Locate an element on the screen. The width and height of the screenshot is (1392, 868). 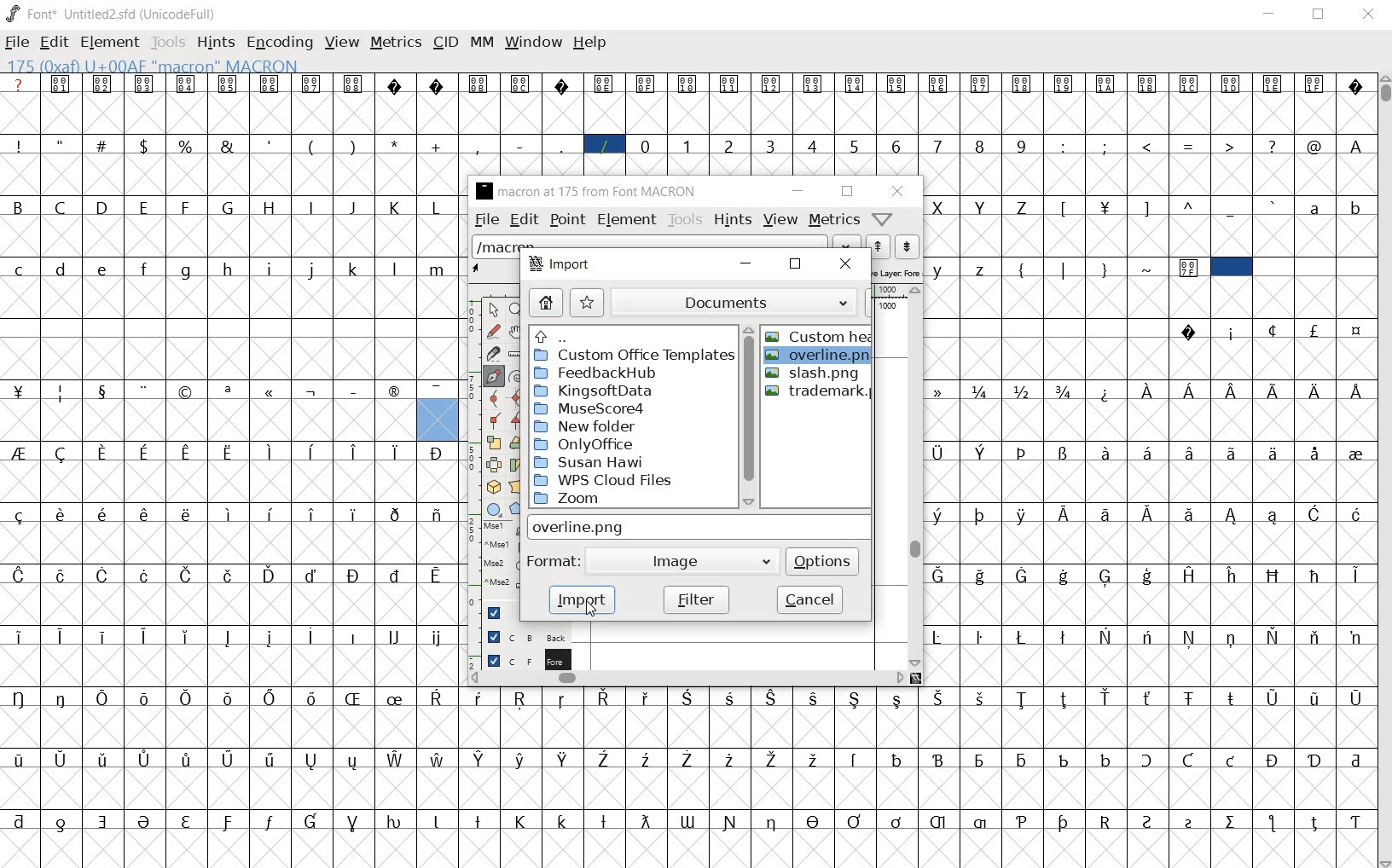
Symbol is located at coordinates (274, 697).